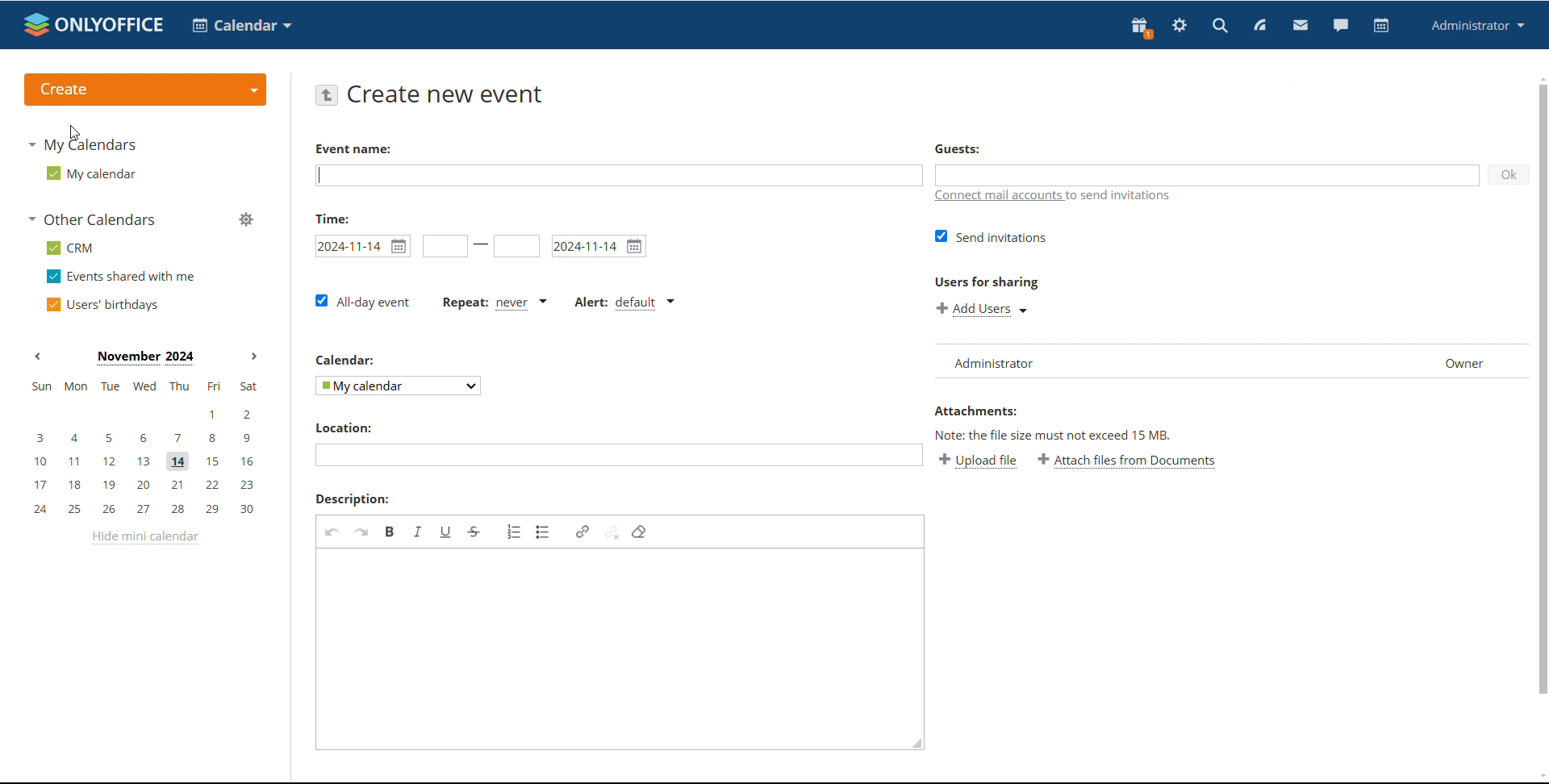 The height and width of the screenshot is (784, 1549). I want to click on bold, so click(390, 531).